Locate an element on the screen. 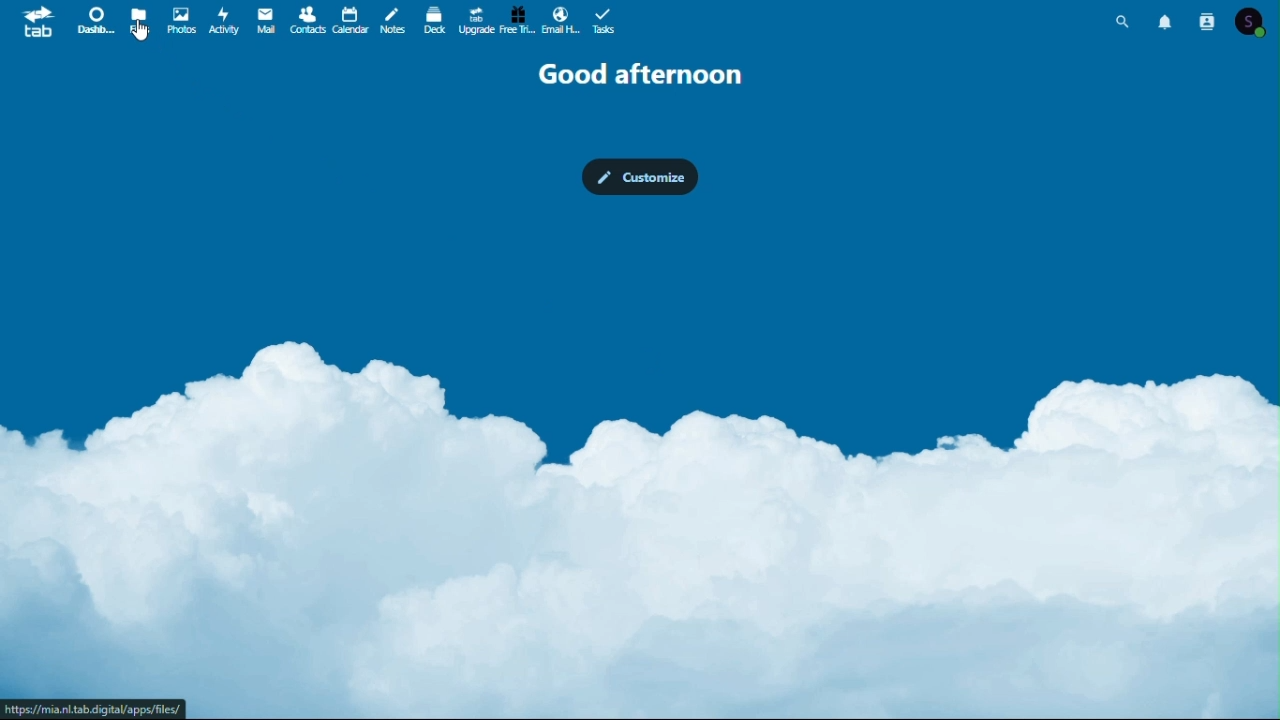 The width and height of the screenshot is (1280, 720). Task is located at coordinates (604, 20).